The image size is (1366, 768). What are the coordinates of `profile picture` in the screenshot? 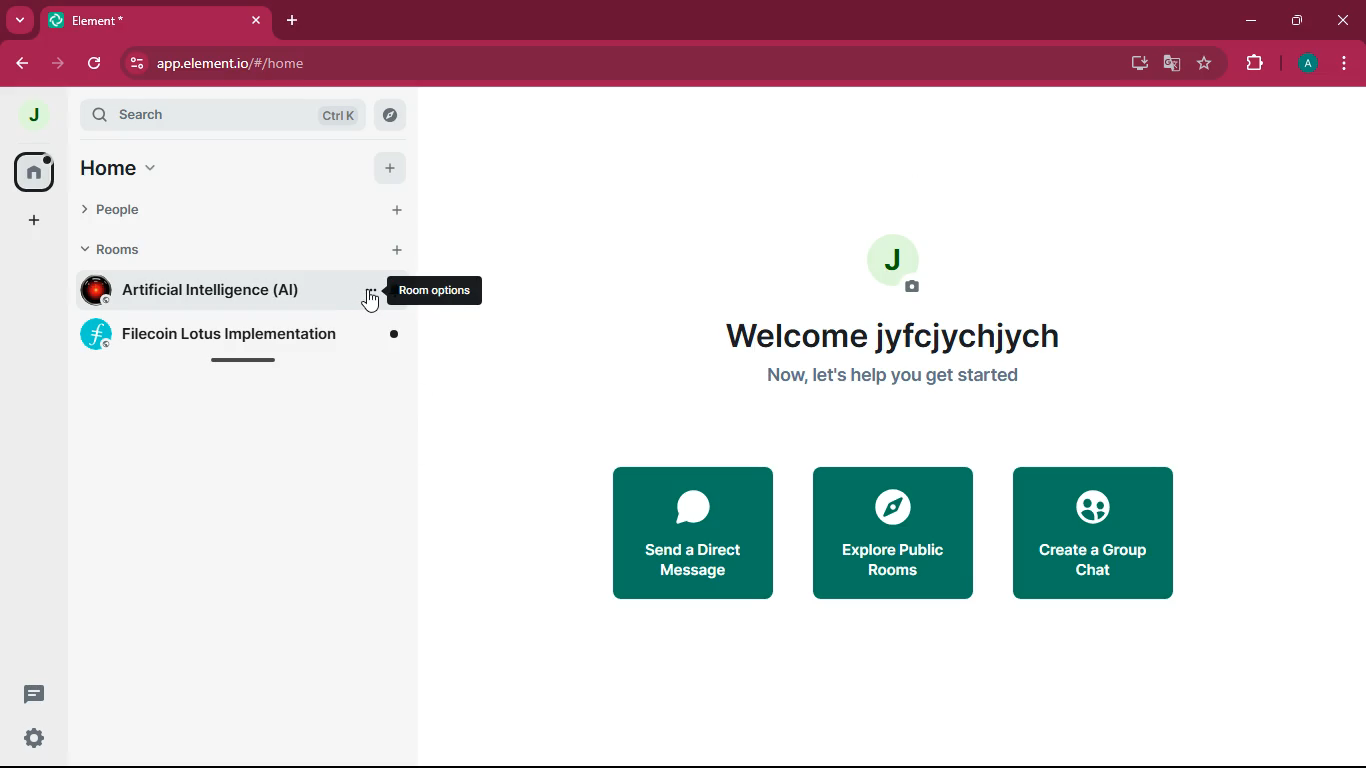 It's located at (37, 116).